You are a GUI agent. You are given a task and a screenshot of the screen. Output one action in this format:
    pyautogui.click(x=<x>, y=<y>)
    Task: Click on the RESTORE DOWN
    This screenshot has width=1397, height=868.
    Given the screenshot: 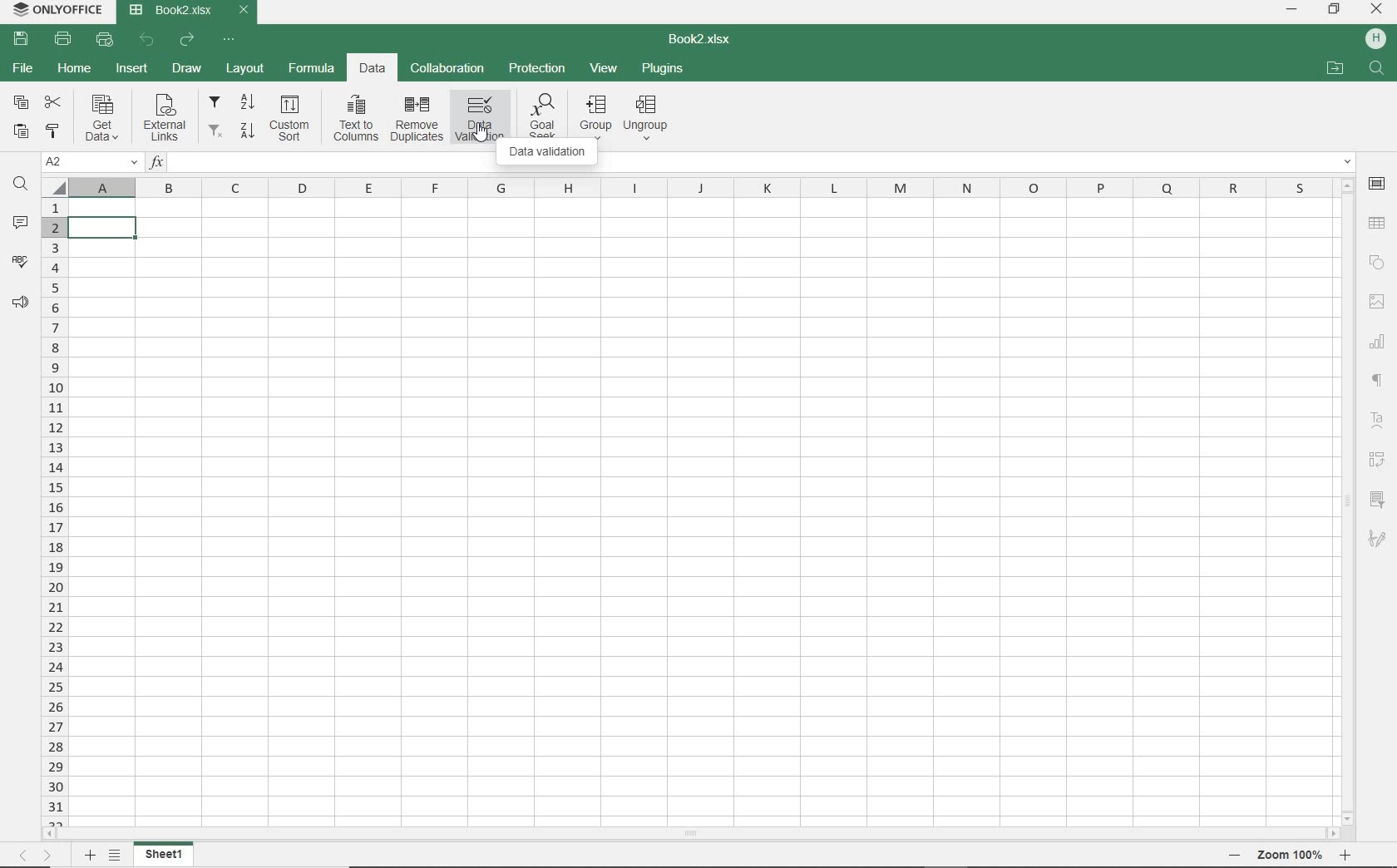 What is the action you would take?
    pyautogui.click(x=1336, y=11)
    